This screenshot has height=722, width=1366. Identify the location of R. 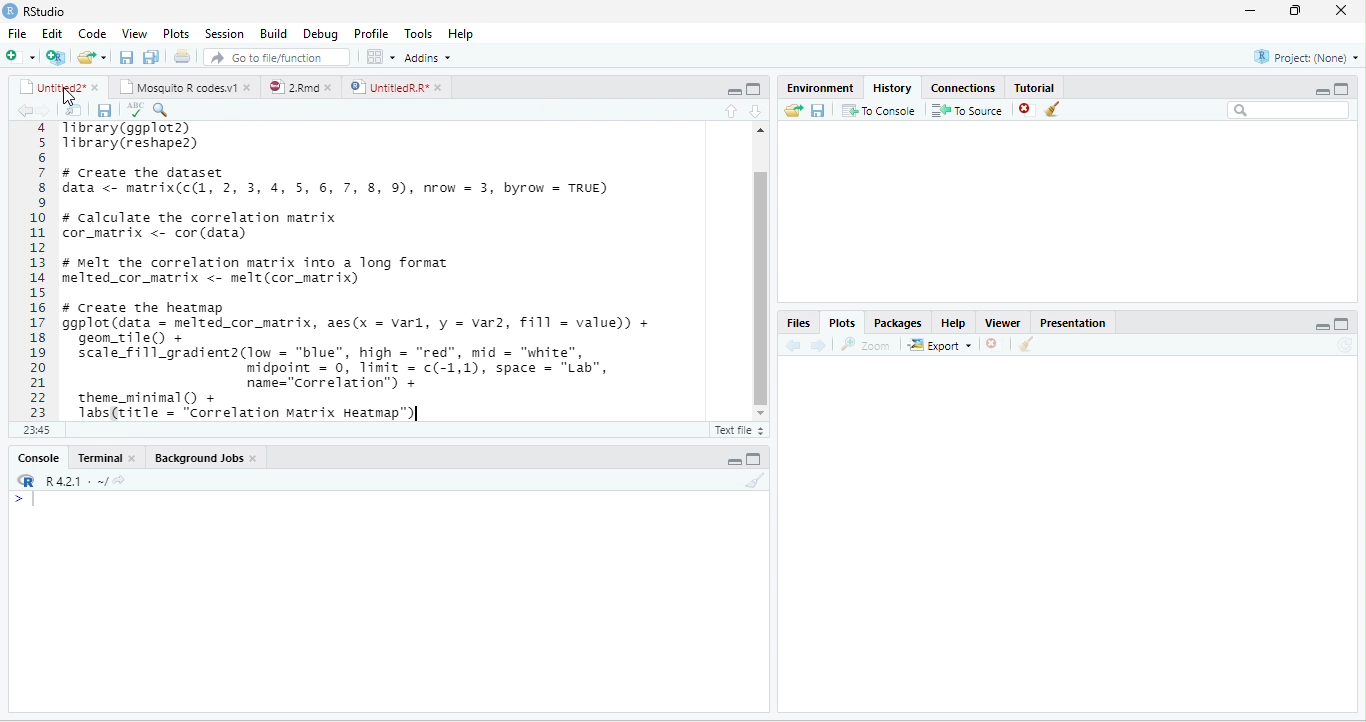
(72, 481).